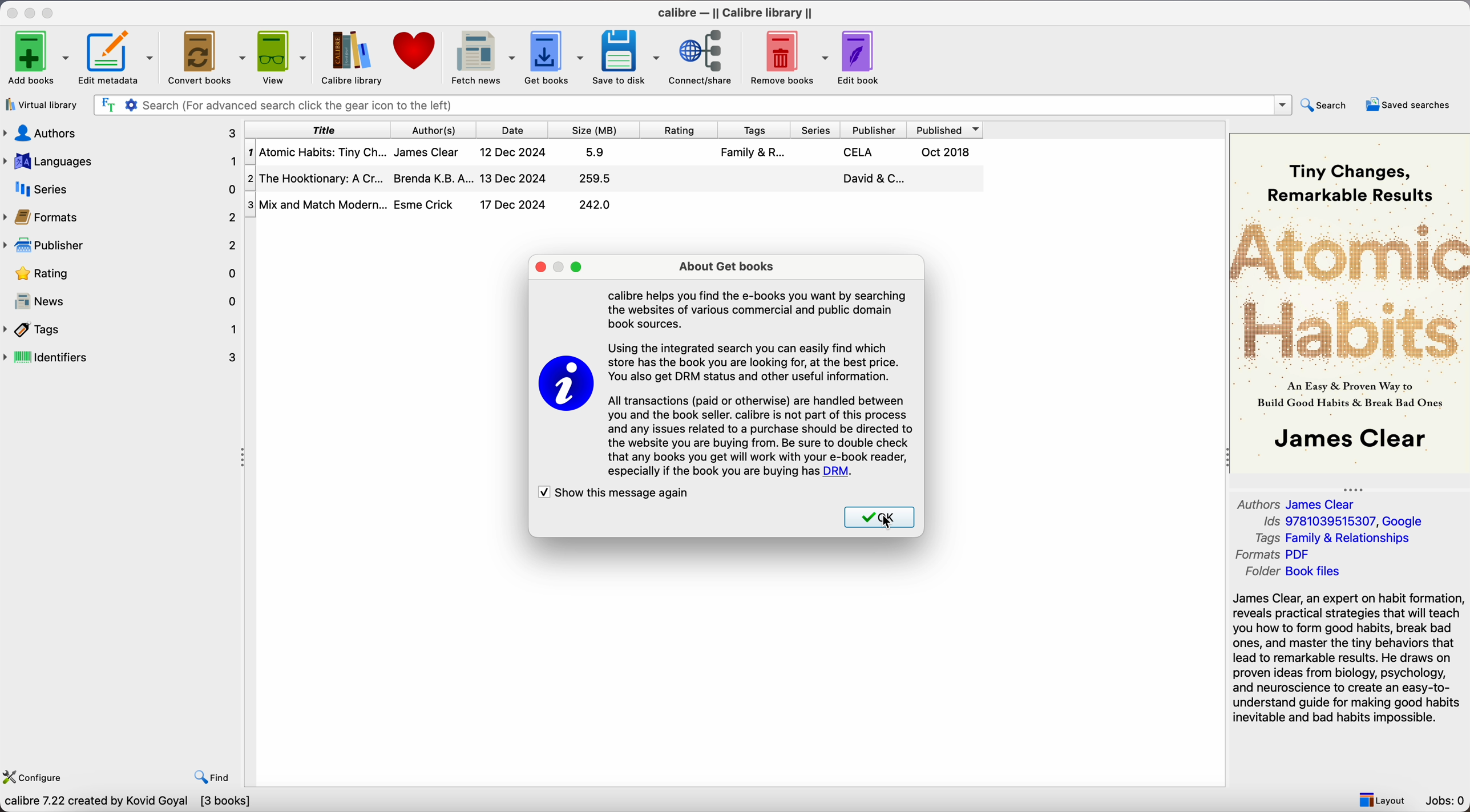 The image size is (1470, 812). What do you see at coordinates (702, 58) in the screenshot?
I see `connect/share` at bounding box center [702, 58].